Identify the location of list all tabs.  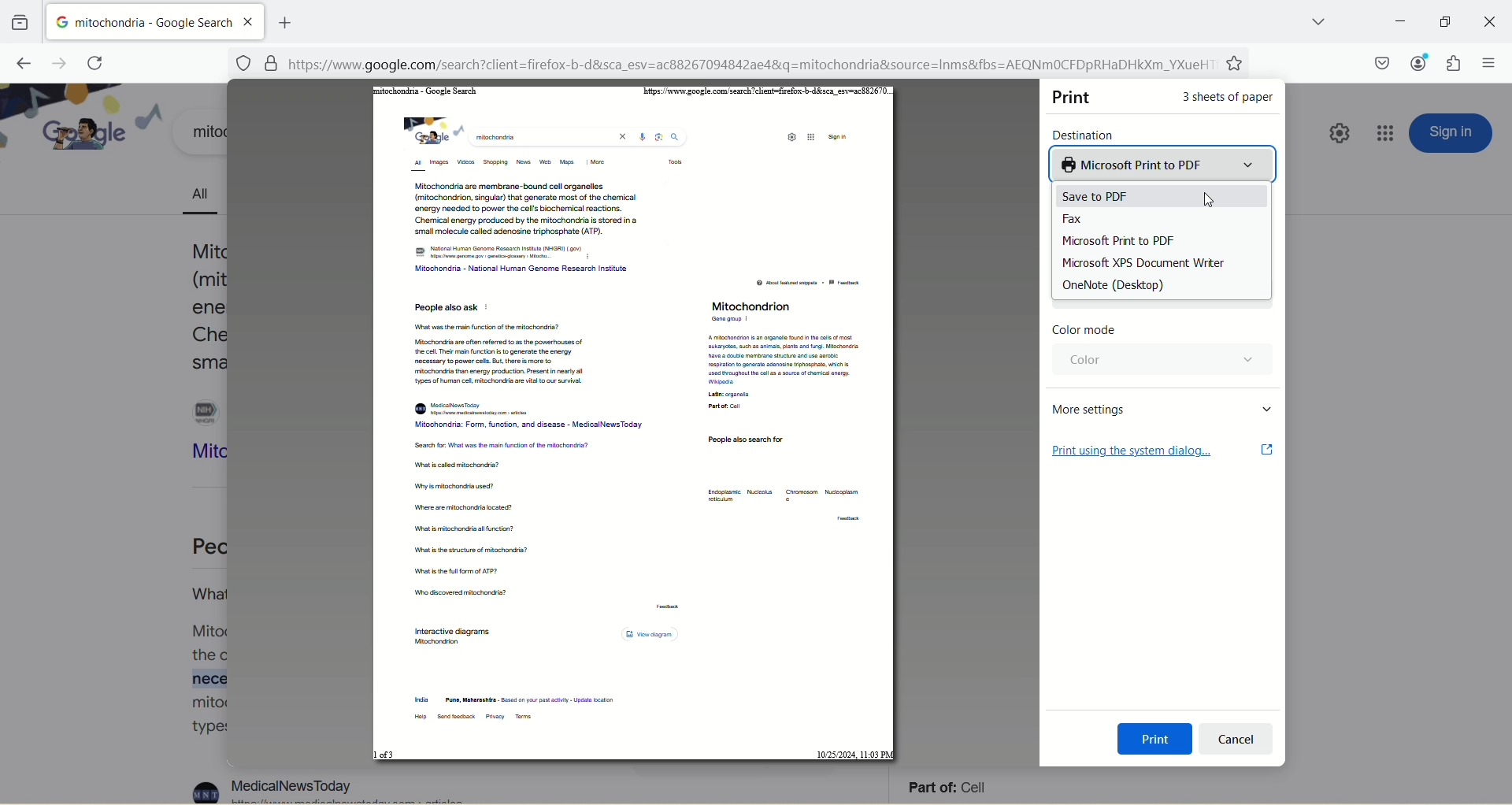
(1306, 20).